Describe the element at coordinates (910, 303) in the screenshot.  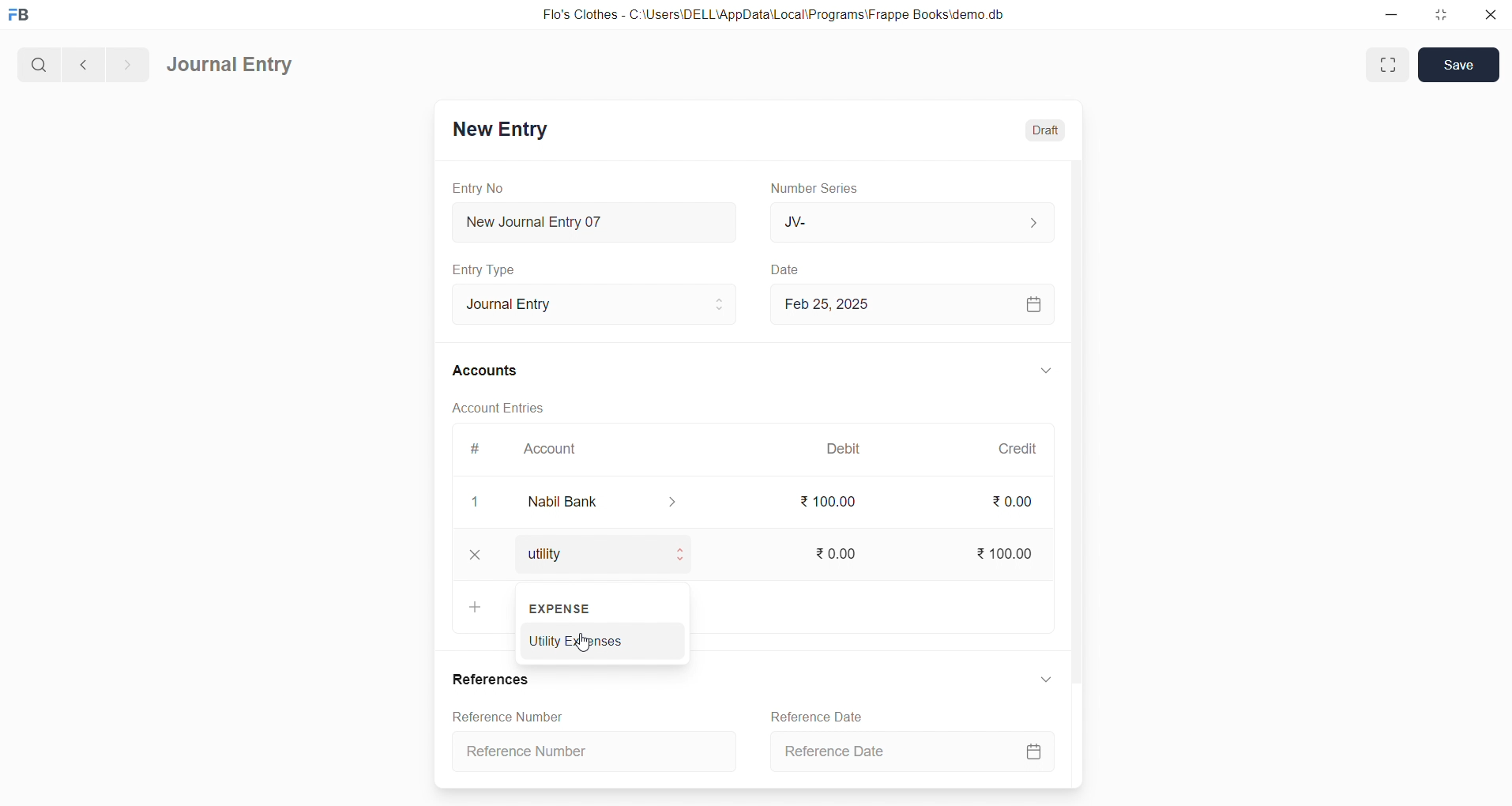
I see `Feb 25, 2025` at that location.